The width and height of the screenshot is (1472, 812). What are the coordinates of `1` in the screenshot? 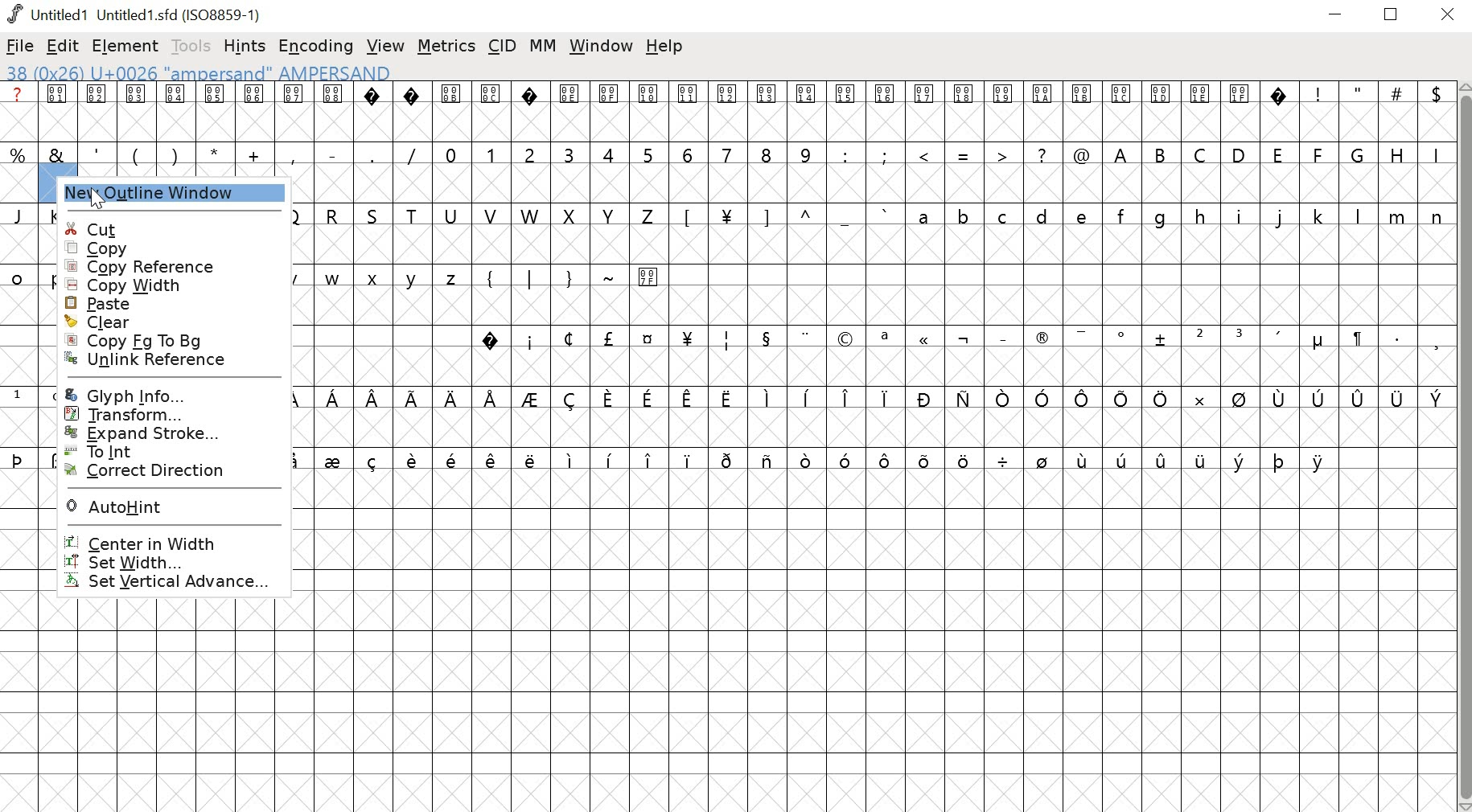 It's located at (491, 153).